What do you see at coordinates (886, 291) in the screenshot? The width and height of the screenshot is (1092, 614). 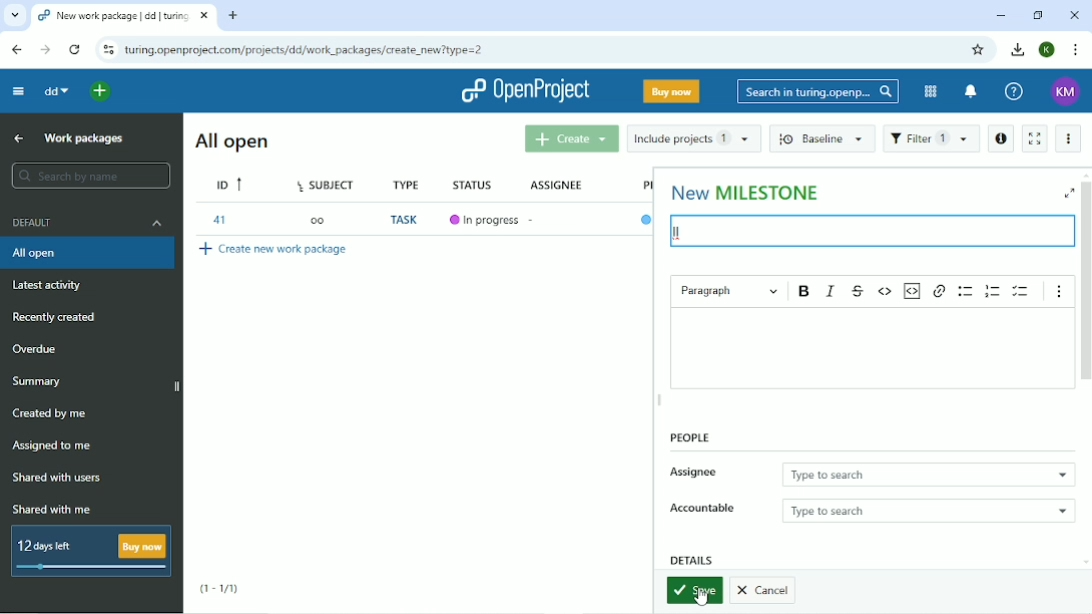 I see `Code` at bounding box center [886, 291].